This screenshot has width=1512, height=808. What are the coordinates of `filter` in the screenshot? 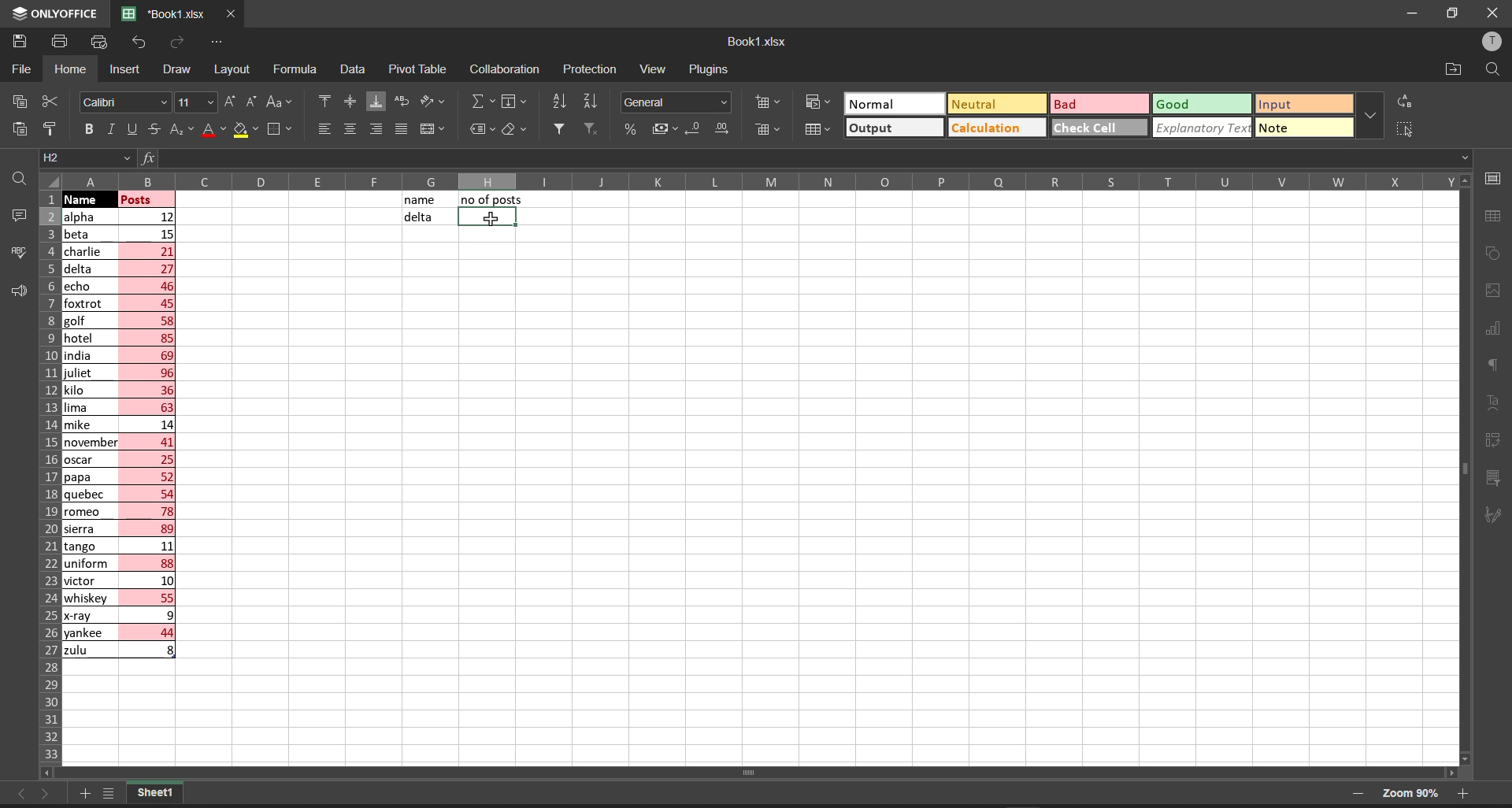 It's located at (558, 128).